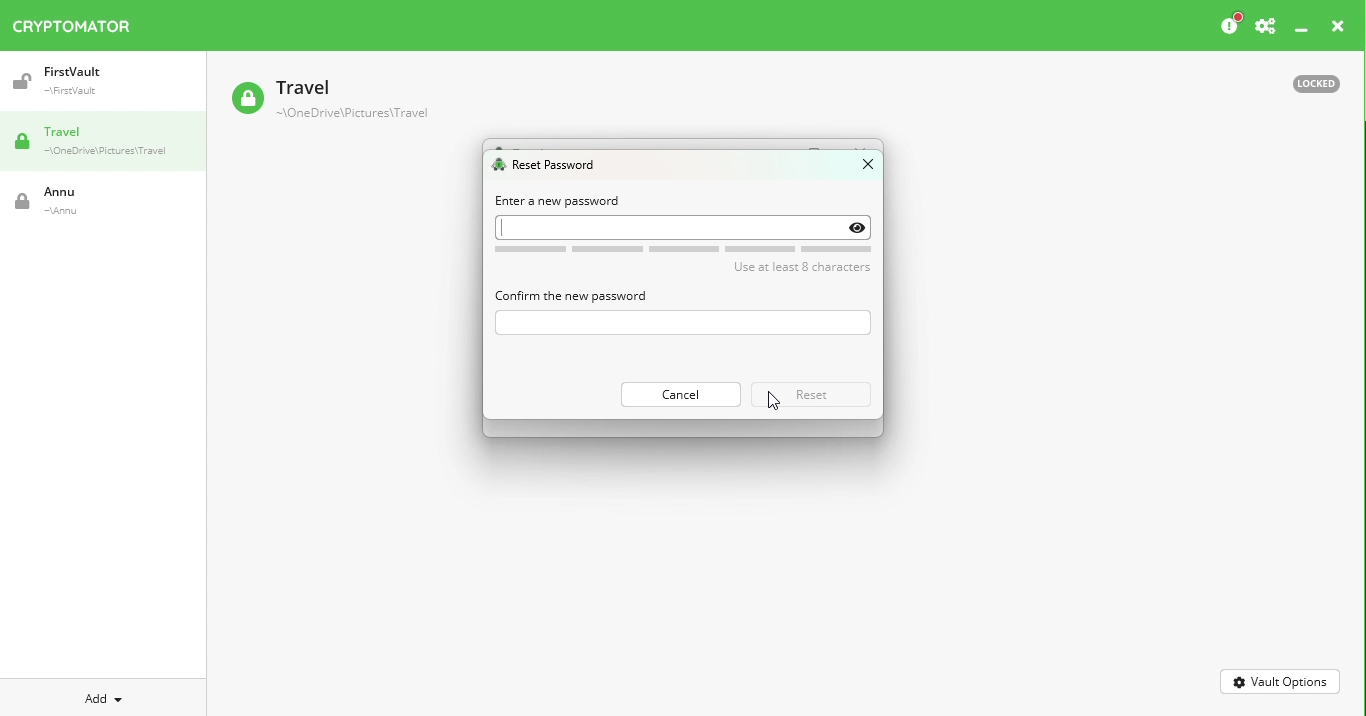 This screenshot has height=716, width=1366. I want to click on Vault, so click(93, 81).